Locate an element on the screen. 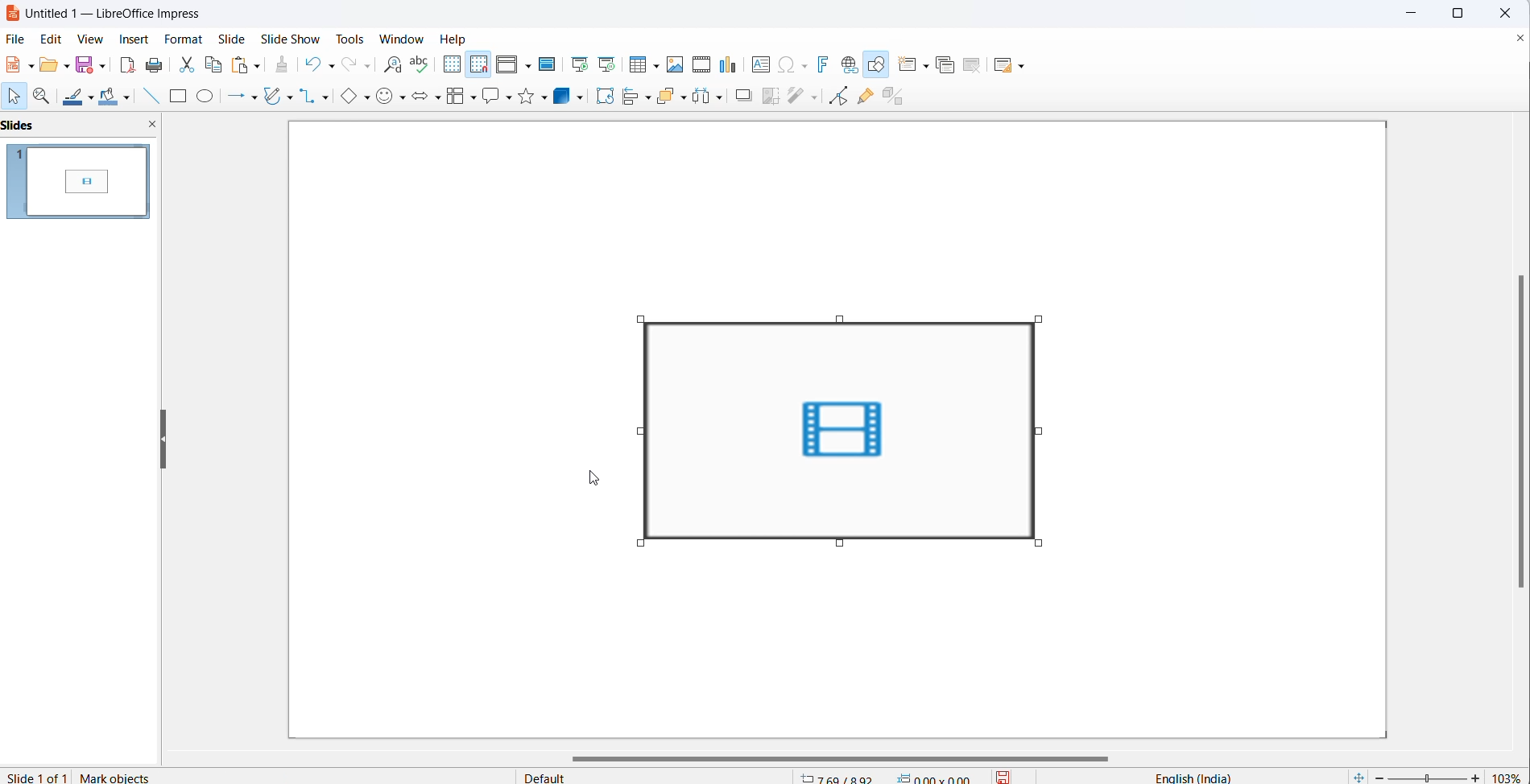 Image resolution: width=1530 pixels, height=784 pixels. block arrows options is located at coordinates (439, 98).